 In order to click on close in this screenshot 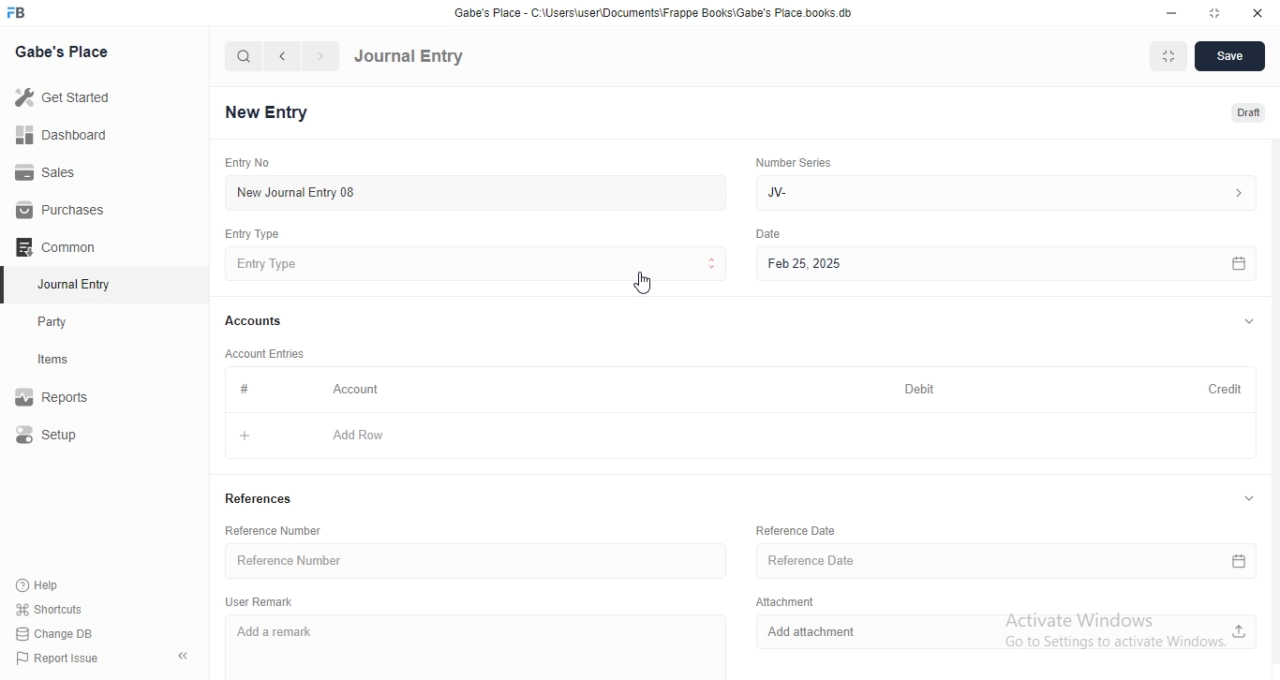, I will do `click(1256, 11)`.